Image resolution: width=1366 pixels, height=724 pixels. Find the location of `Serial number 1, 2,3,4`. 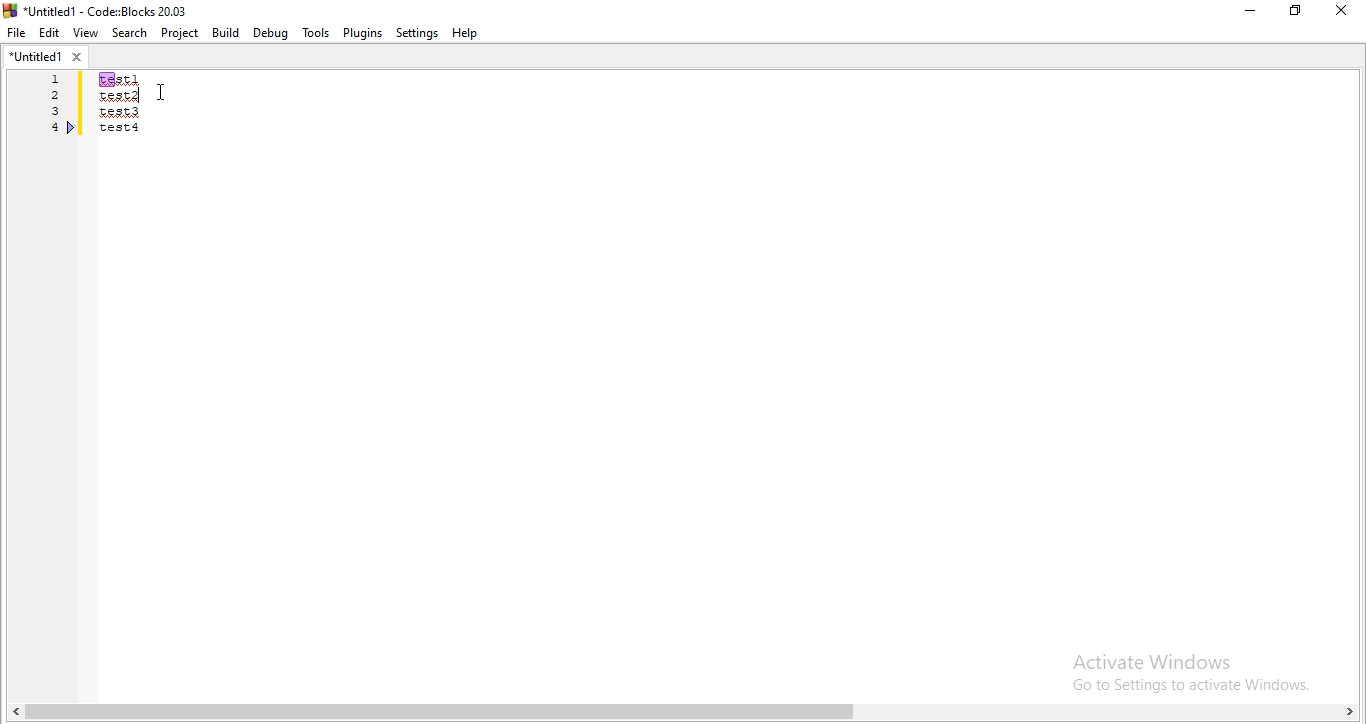

Serial number 1, 2,3,4 is located at coordinates (52, 107).